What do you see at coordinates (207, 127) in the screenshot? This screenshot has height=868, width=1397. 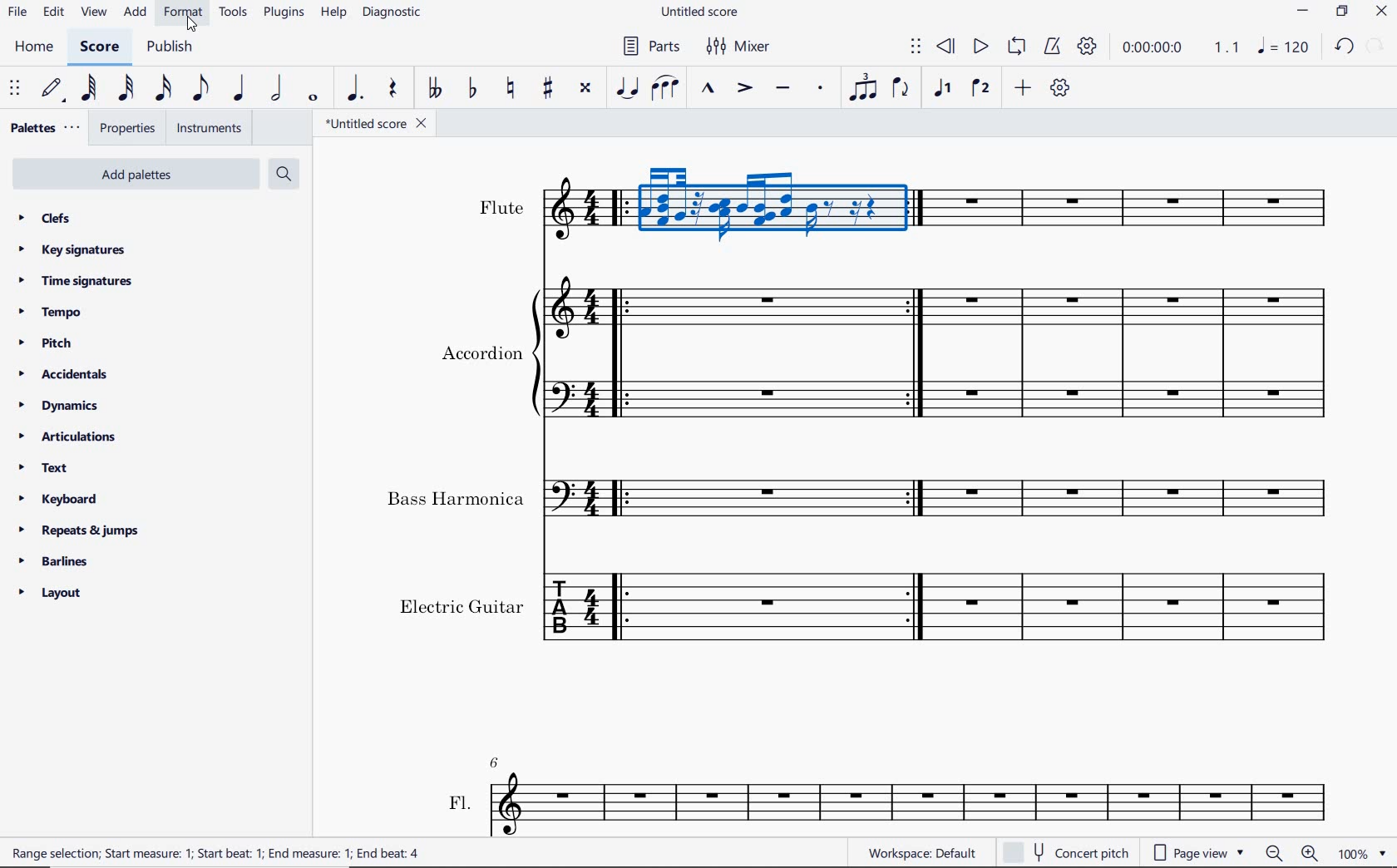 I see `instruments` at bounding box center [207, 127].